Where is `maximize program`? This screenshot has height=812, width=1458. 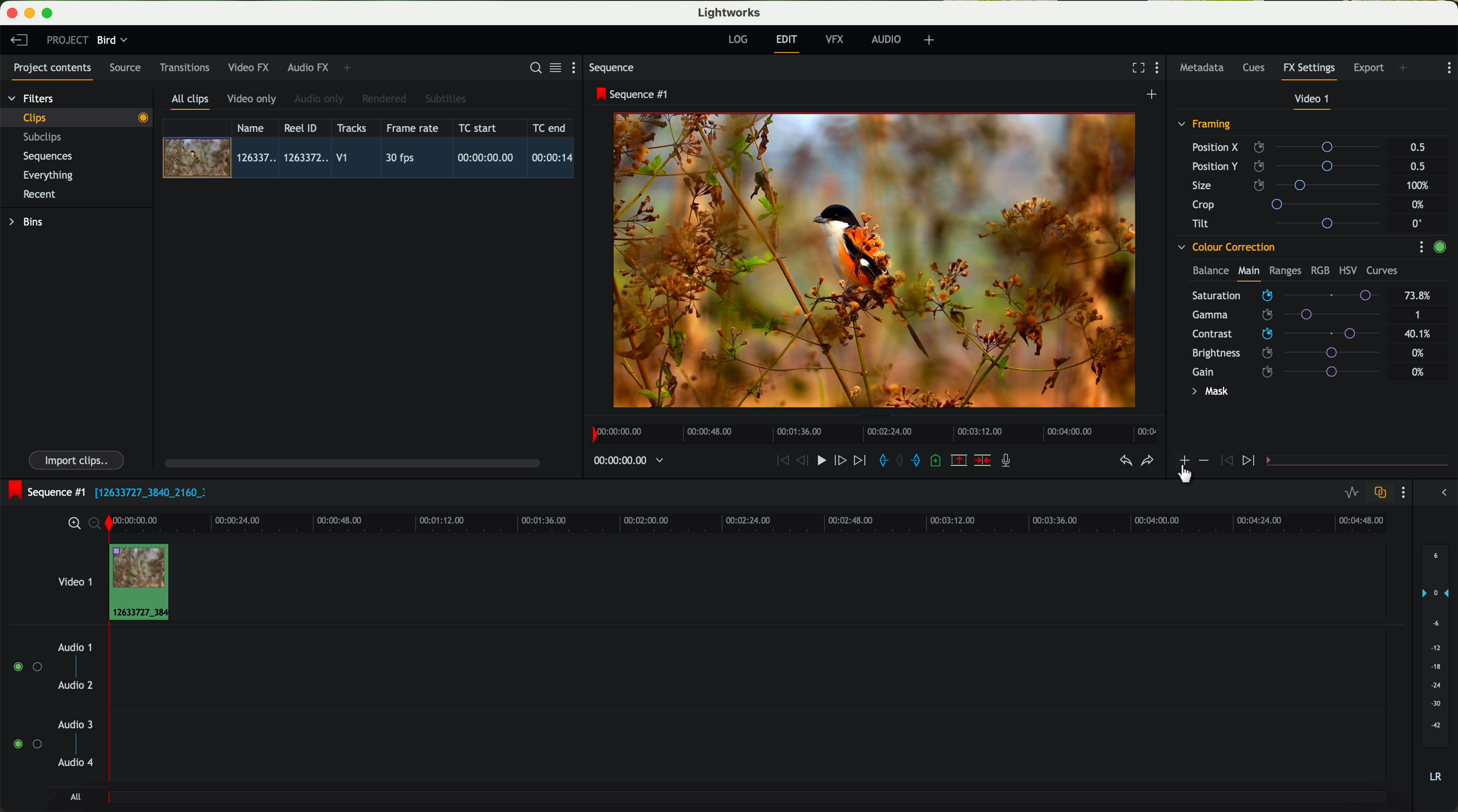 maximize program is located at coordinates (49, 14).